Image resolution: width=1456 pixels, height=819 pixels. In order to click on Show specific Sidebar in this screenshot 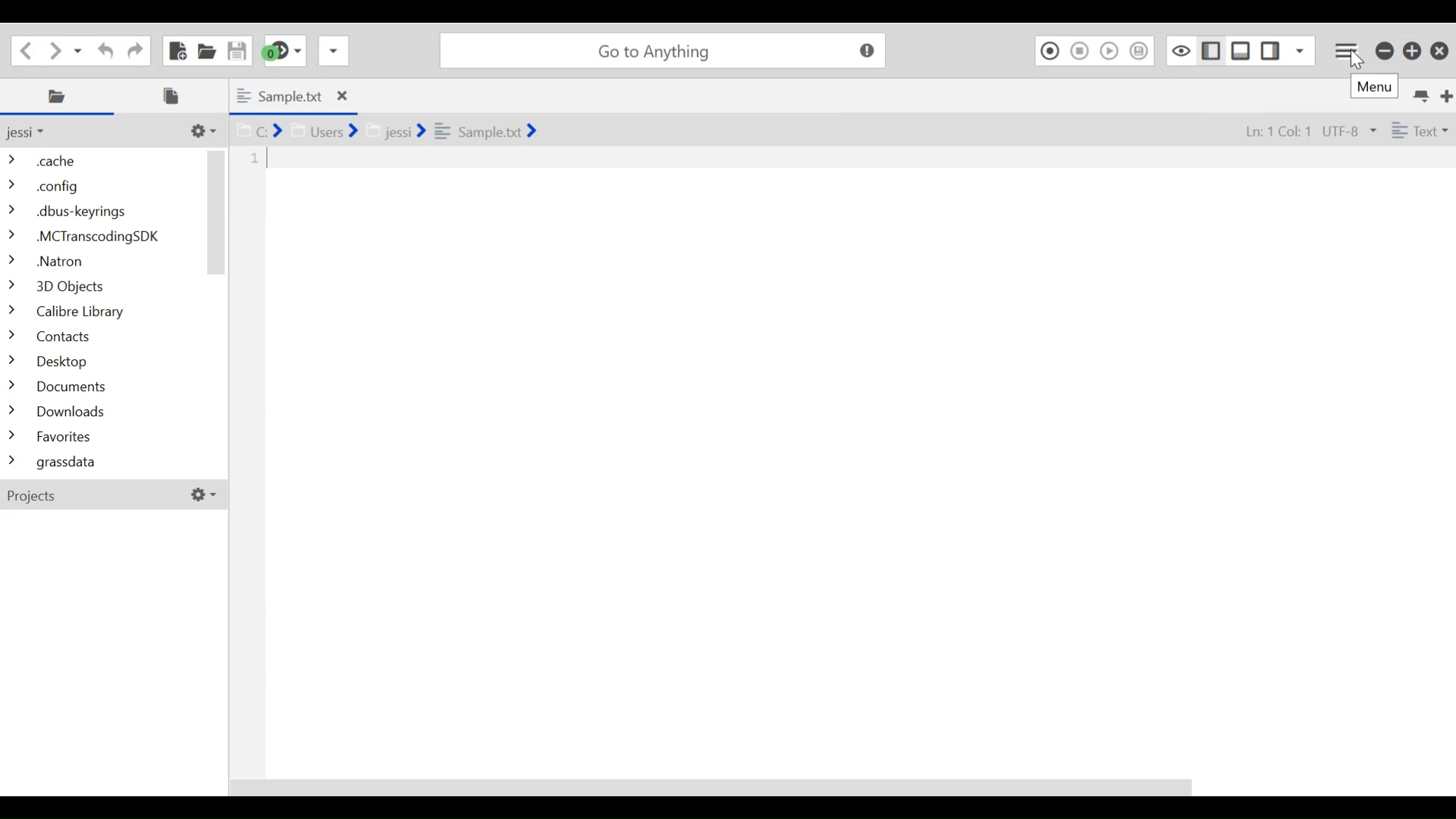, I will do `click(1301, 50)`.